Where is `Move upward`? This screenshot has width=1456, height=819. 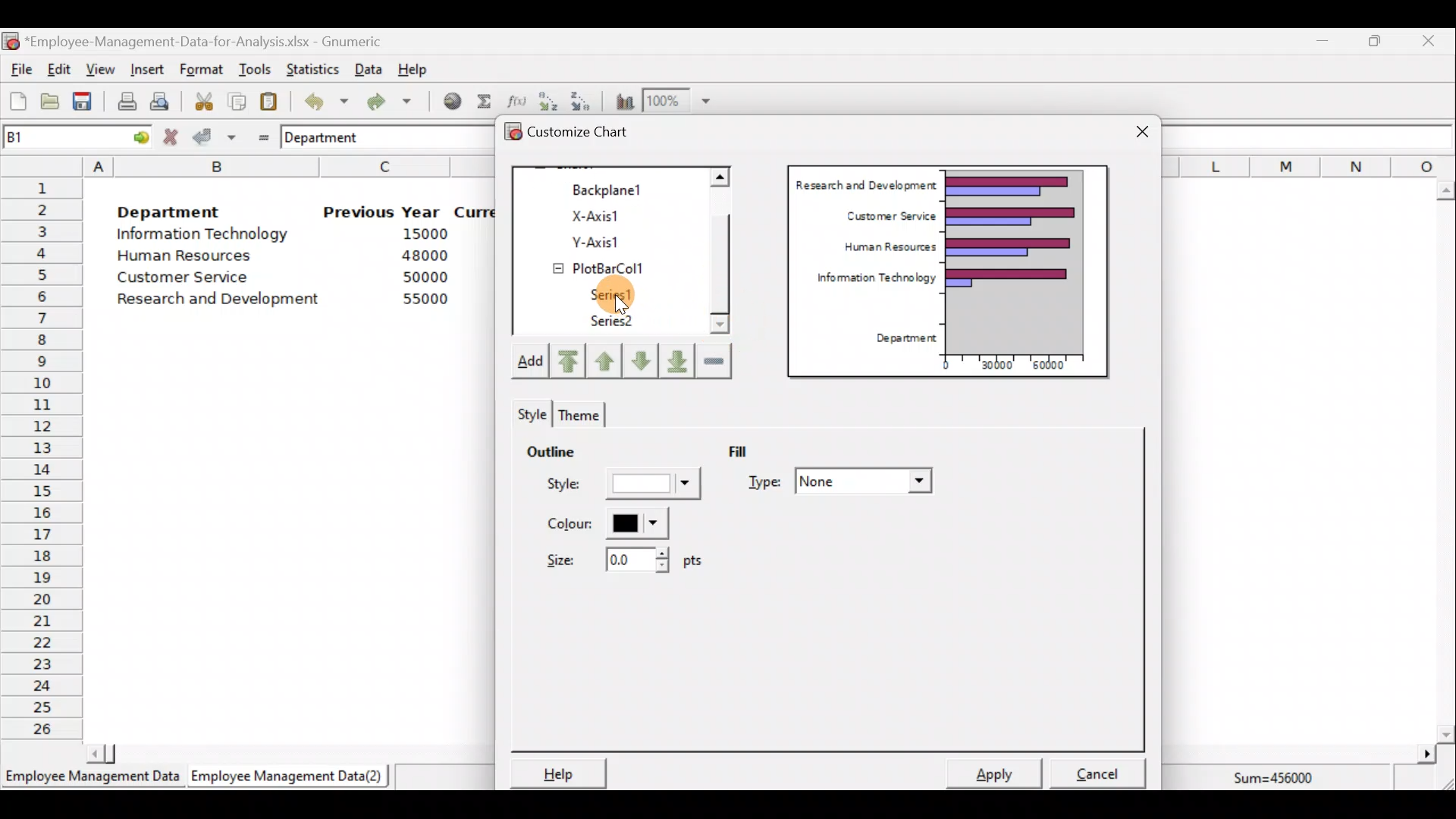
Move upward is located at coordinates (566, 362).